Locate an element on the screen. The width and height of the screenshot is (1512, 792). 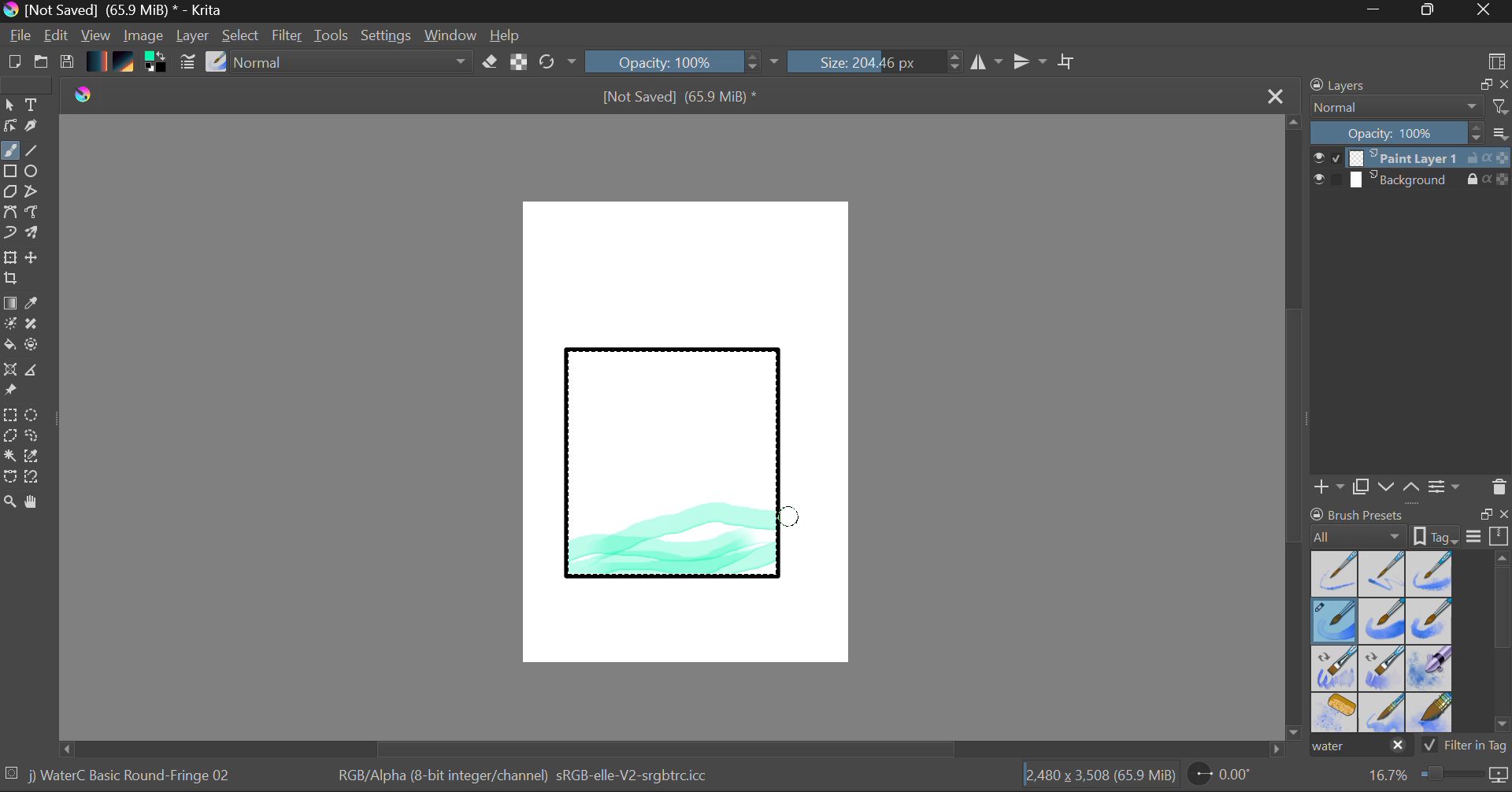
MOUSE_UP Stroke 4 is located at coordinates (791, 520).